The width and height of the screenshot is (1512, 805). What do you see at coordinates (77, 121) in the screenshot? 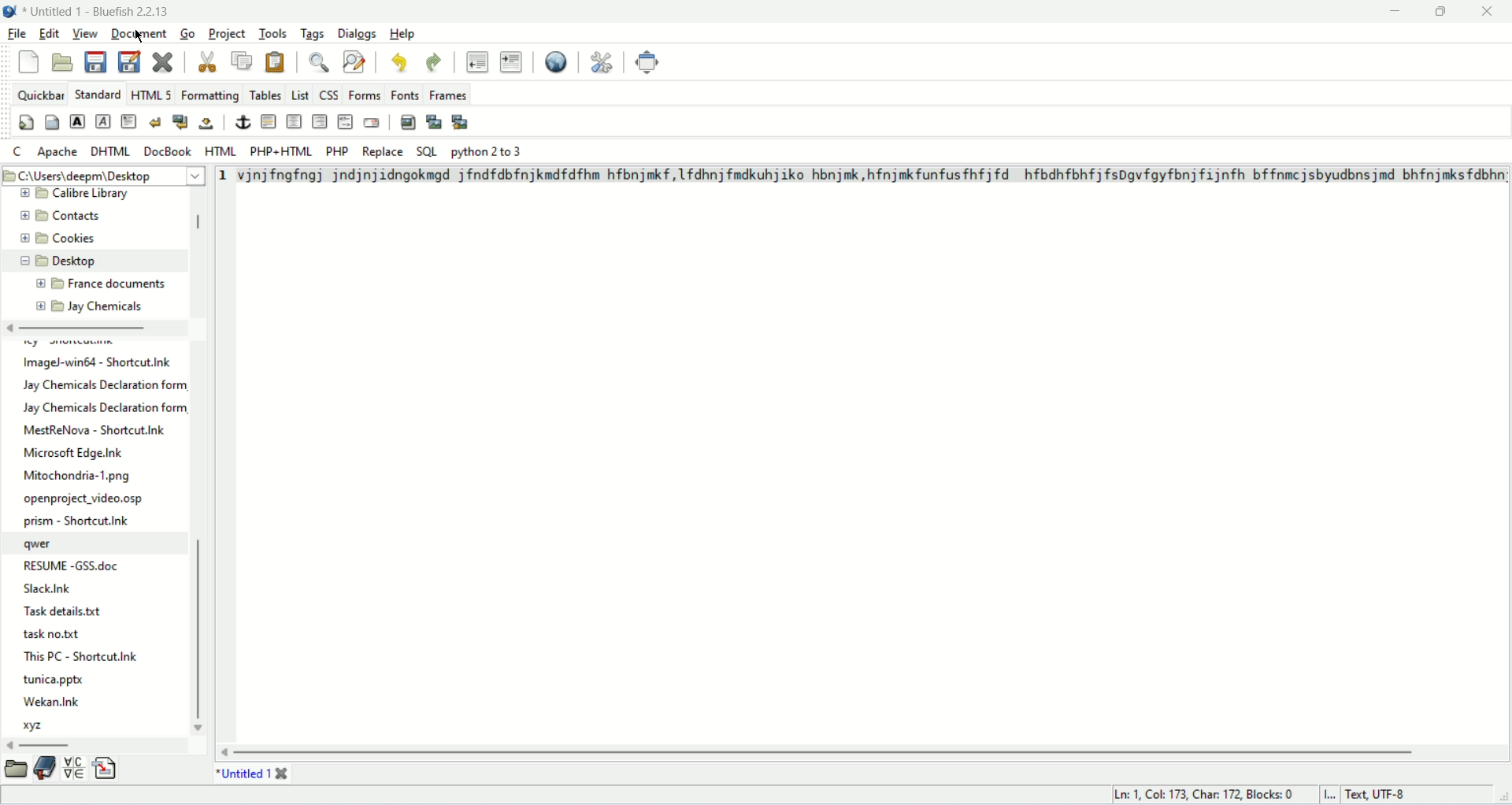
I see `strong` at bounding box center [77, 121].